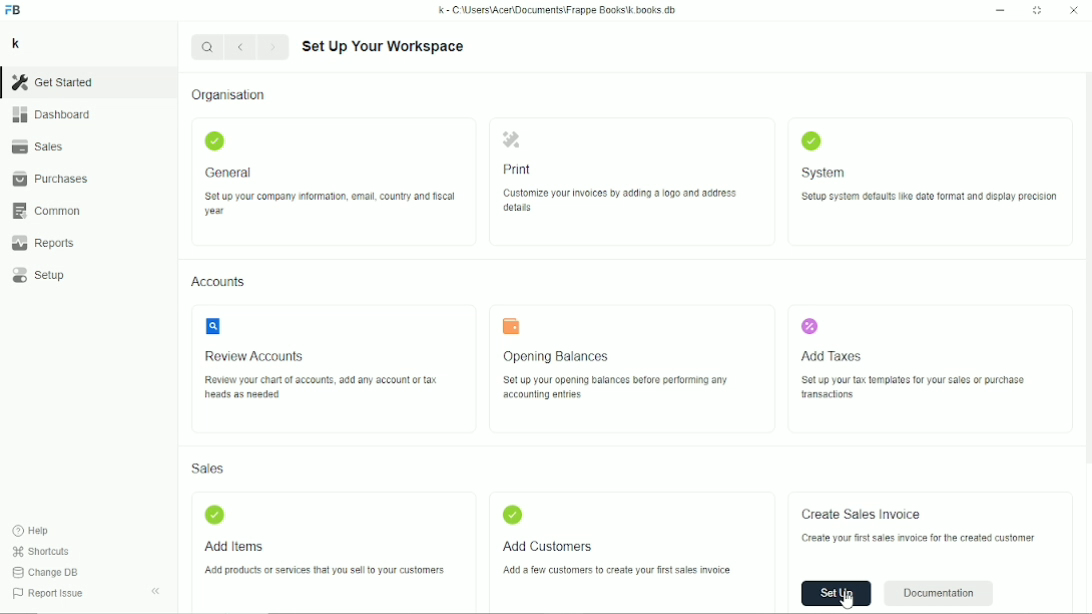 This screenshot has width=1092, height=614. Describe the element at coordinates (1000, 11) in the screenshot. I see `Minimize` at that location.